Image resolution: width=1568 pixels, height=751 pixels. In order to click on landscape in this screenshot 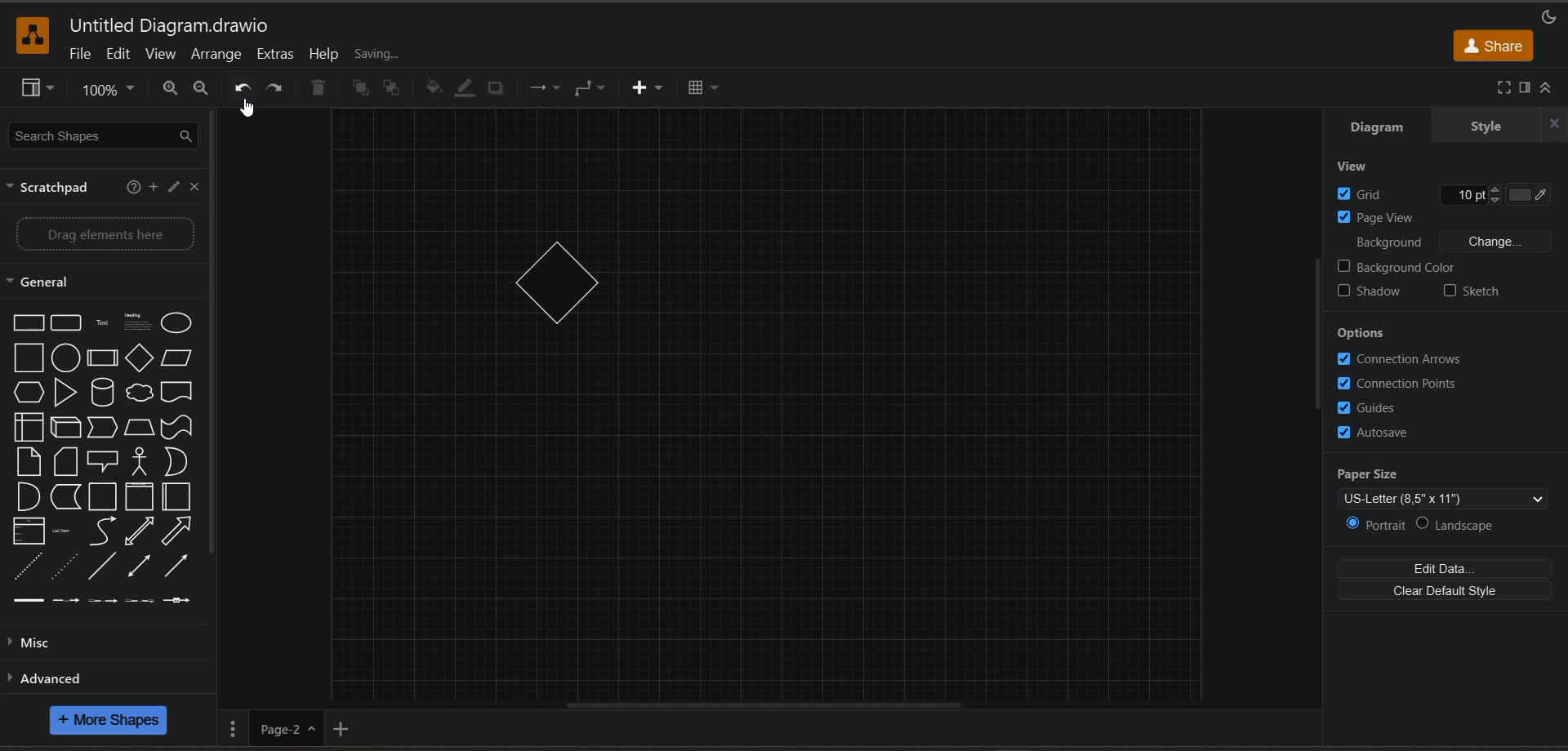, I will do `click(1459, 525)`.